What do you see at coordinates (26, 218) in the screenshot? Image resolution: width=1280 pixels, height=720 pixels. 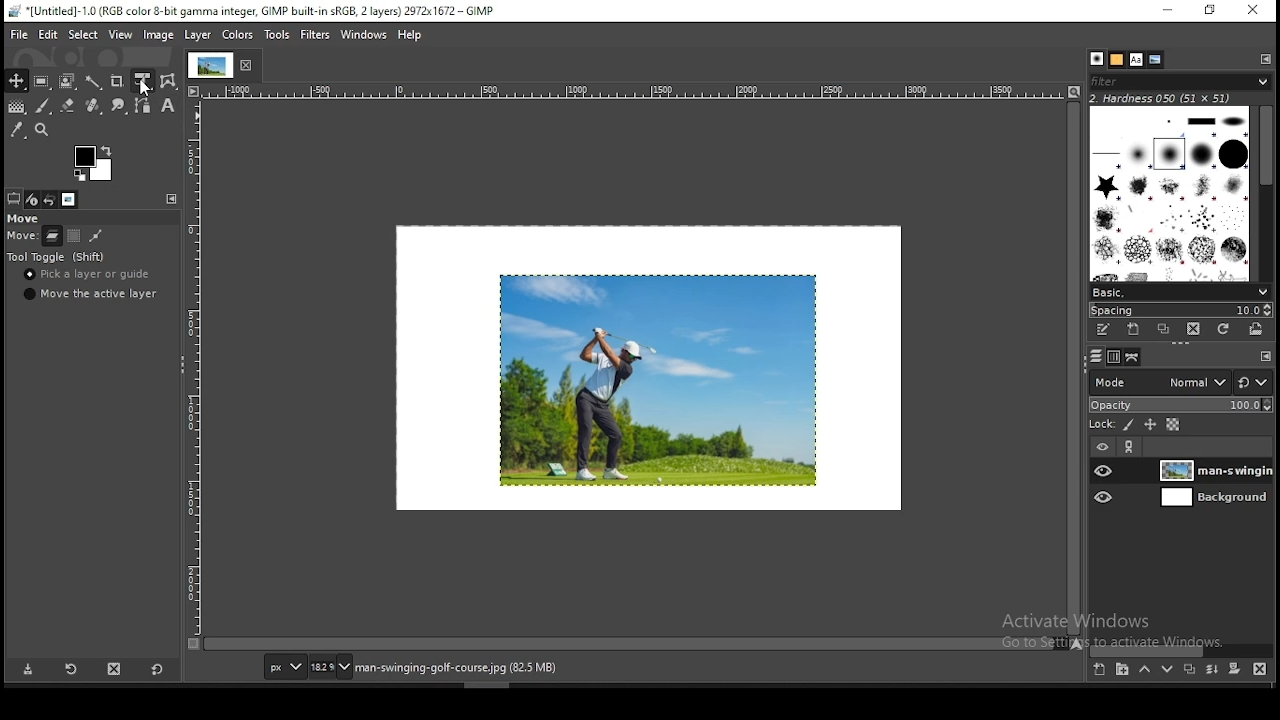 I see `move` at bounding box center [26, 218].